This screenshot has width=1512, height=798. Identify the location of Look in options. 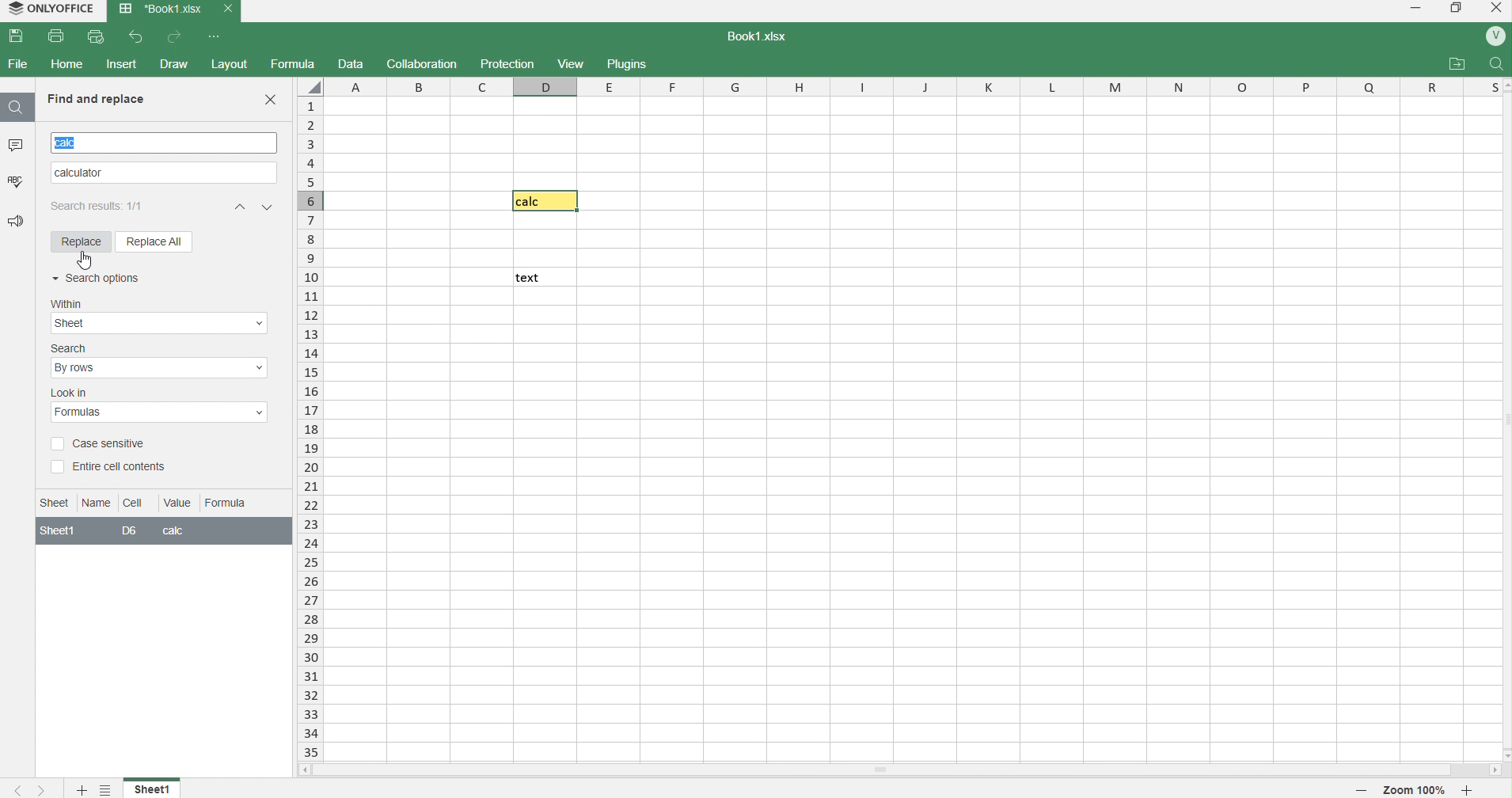
(159, 413).